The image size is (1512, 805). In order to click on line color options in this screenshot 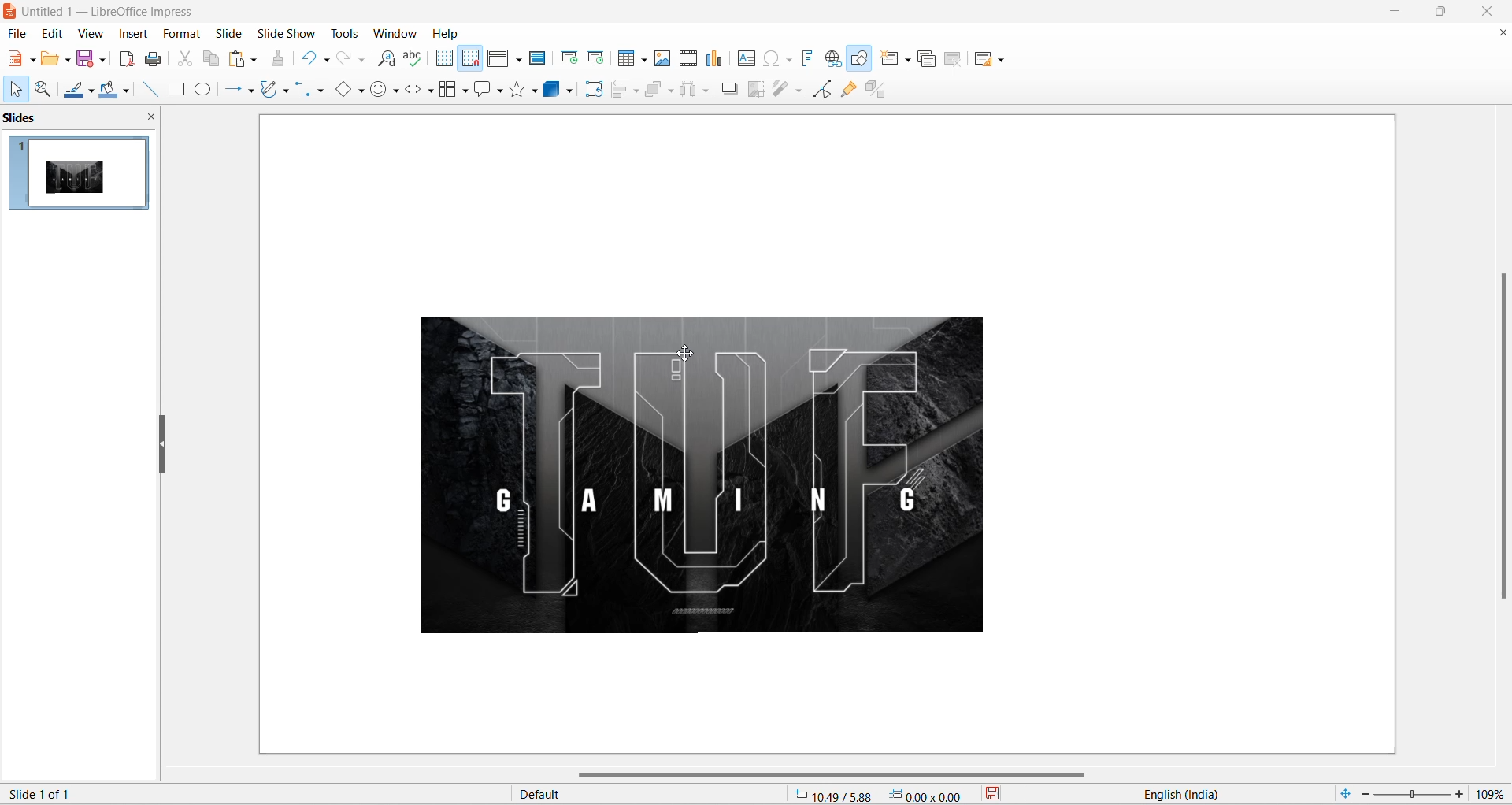, I will do `click(91, 95)`.